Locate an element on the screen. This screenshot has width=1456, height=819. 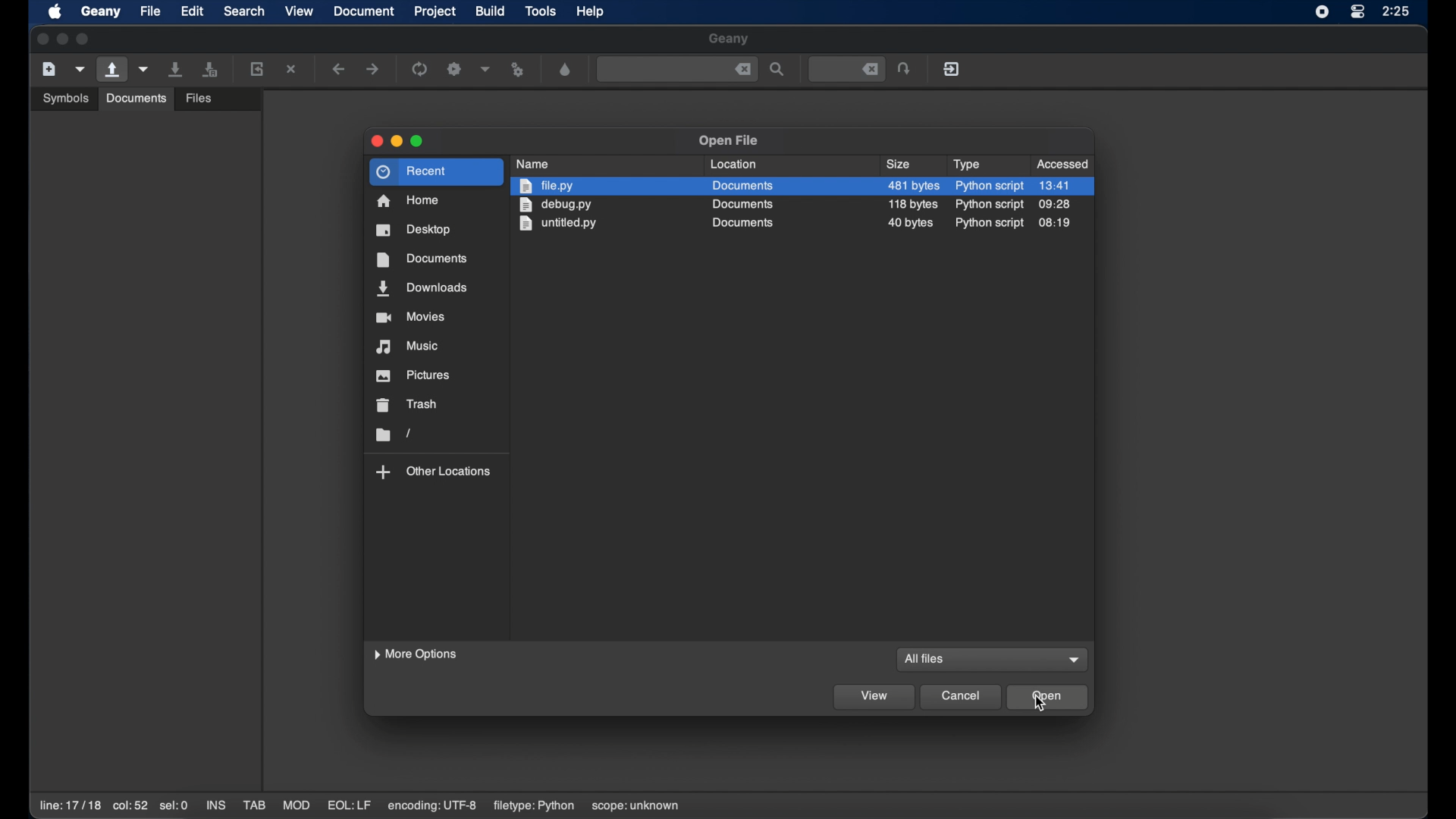
reload current file from disk is located at coordinates (256, 68).